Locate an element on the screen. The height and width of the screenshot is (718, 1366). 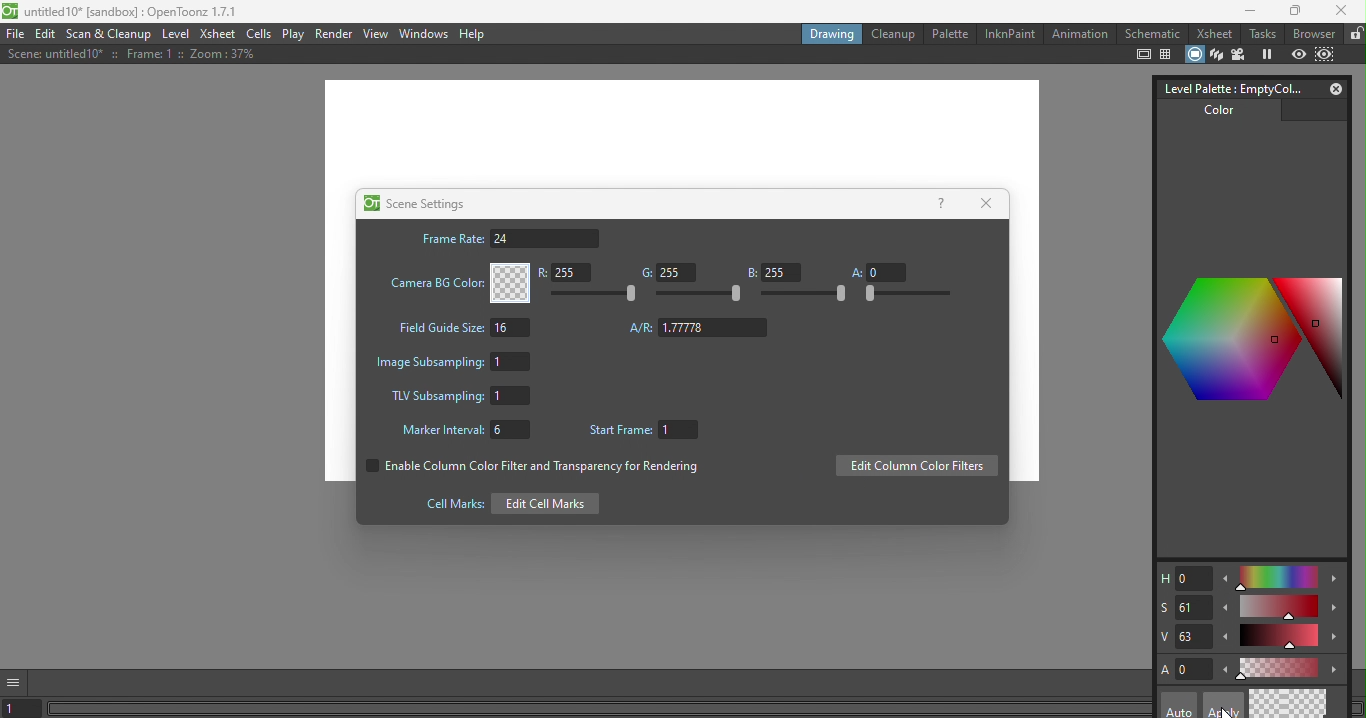
Start Frame is located at coordinates (648, 431).